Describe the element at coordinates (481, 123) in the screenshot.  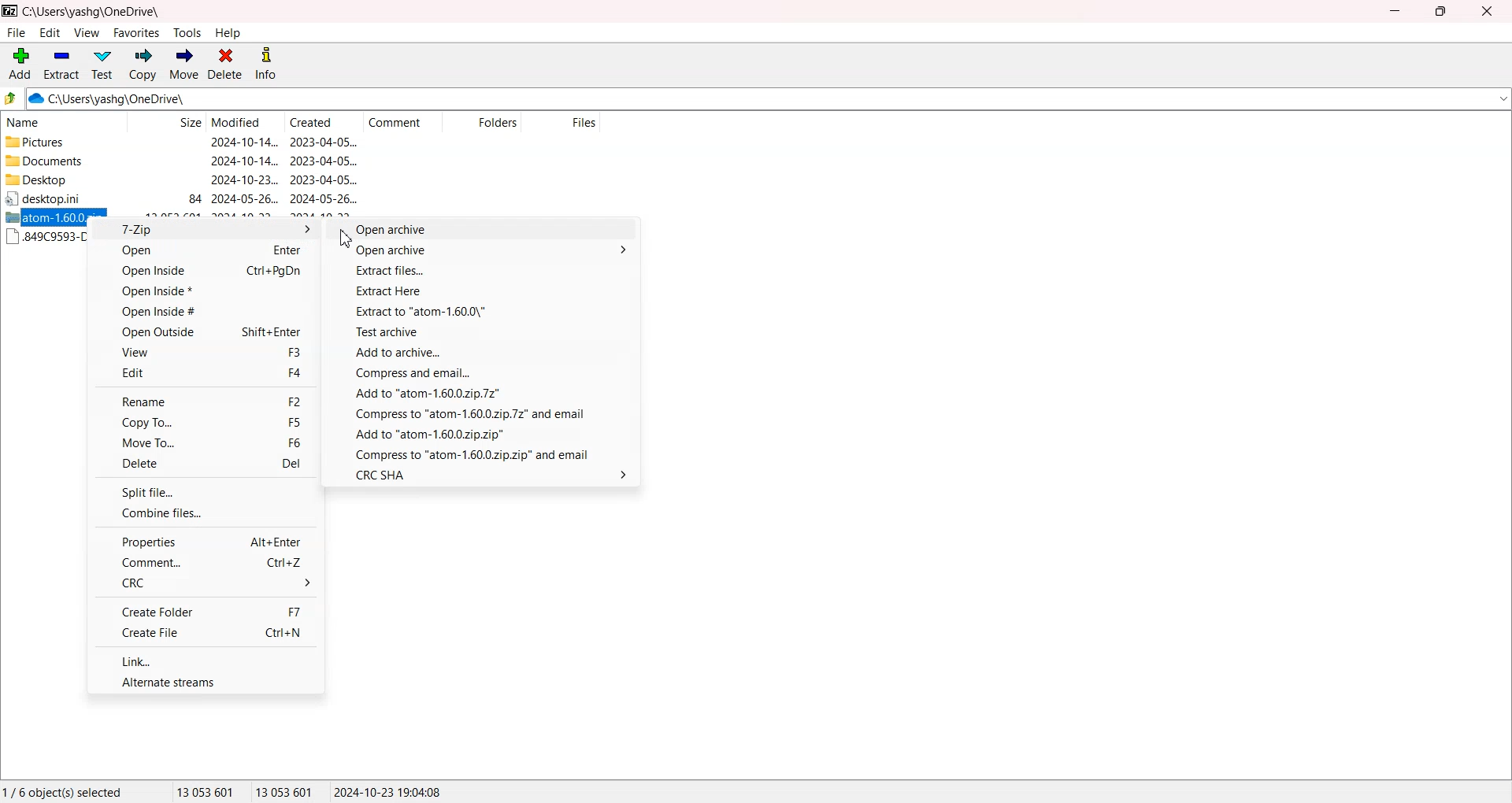
I see `Folders` at that location.